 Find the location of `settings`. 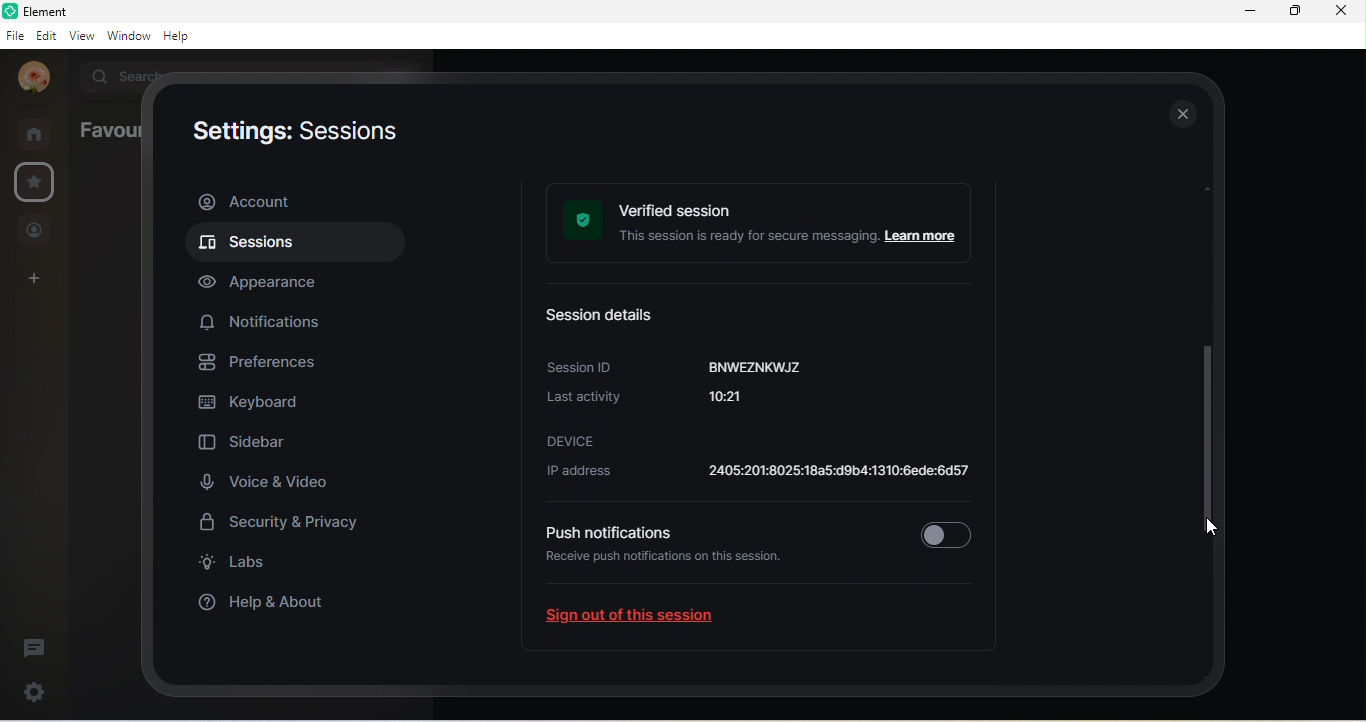

settings is located at coordinates (37, 181).